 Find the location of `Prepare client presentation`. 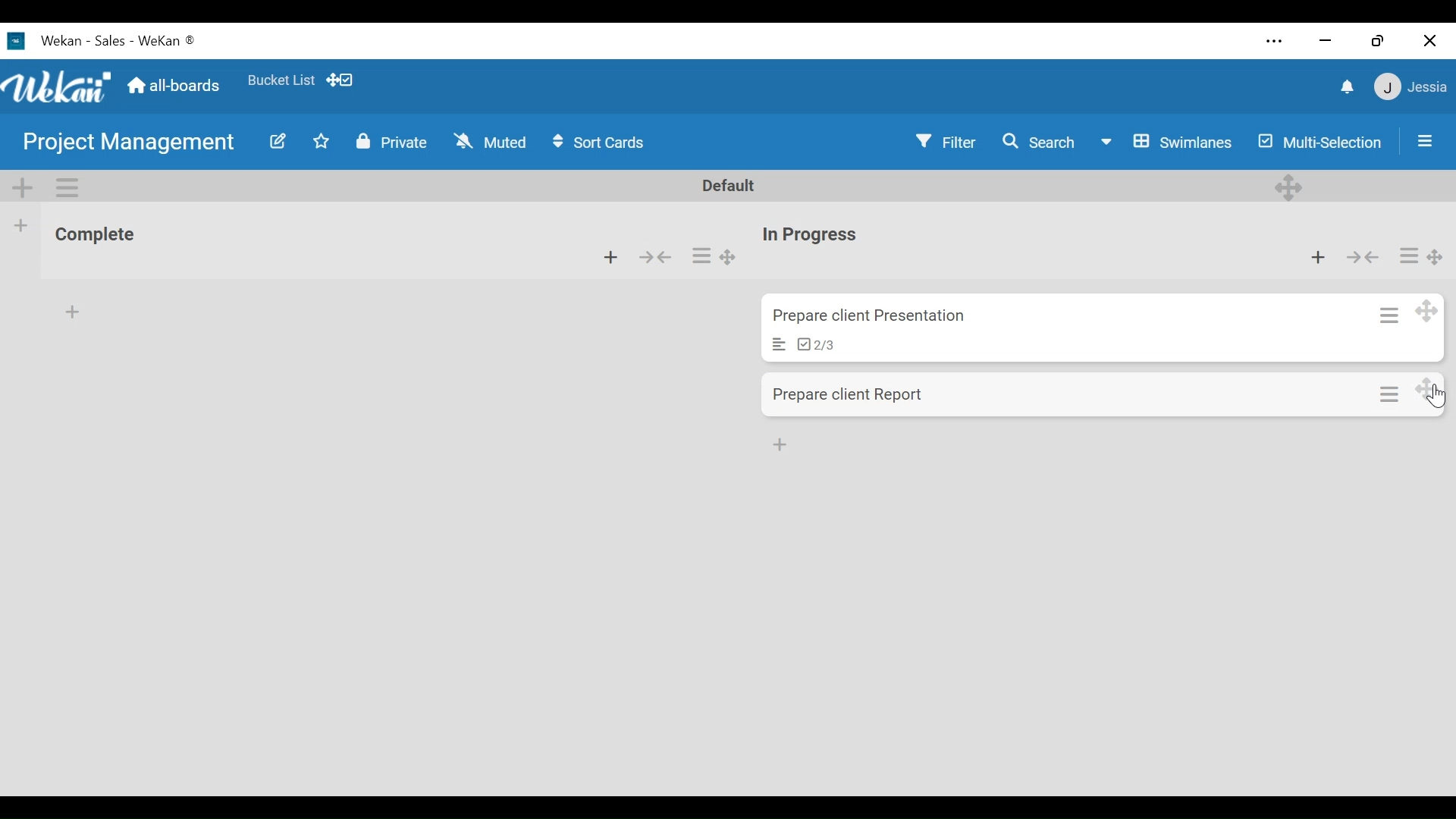

Prepare client presentation is located at coordinates (874, 317).